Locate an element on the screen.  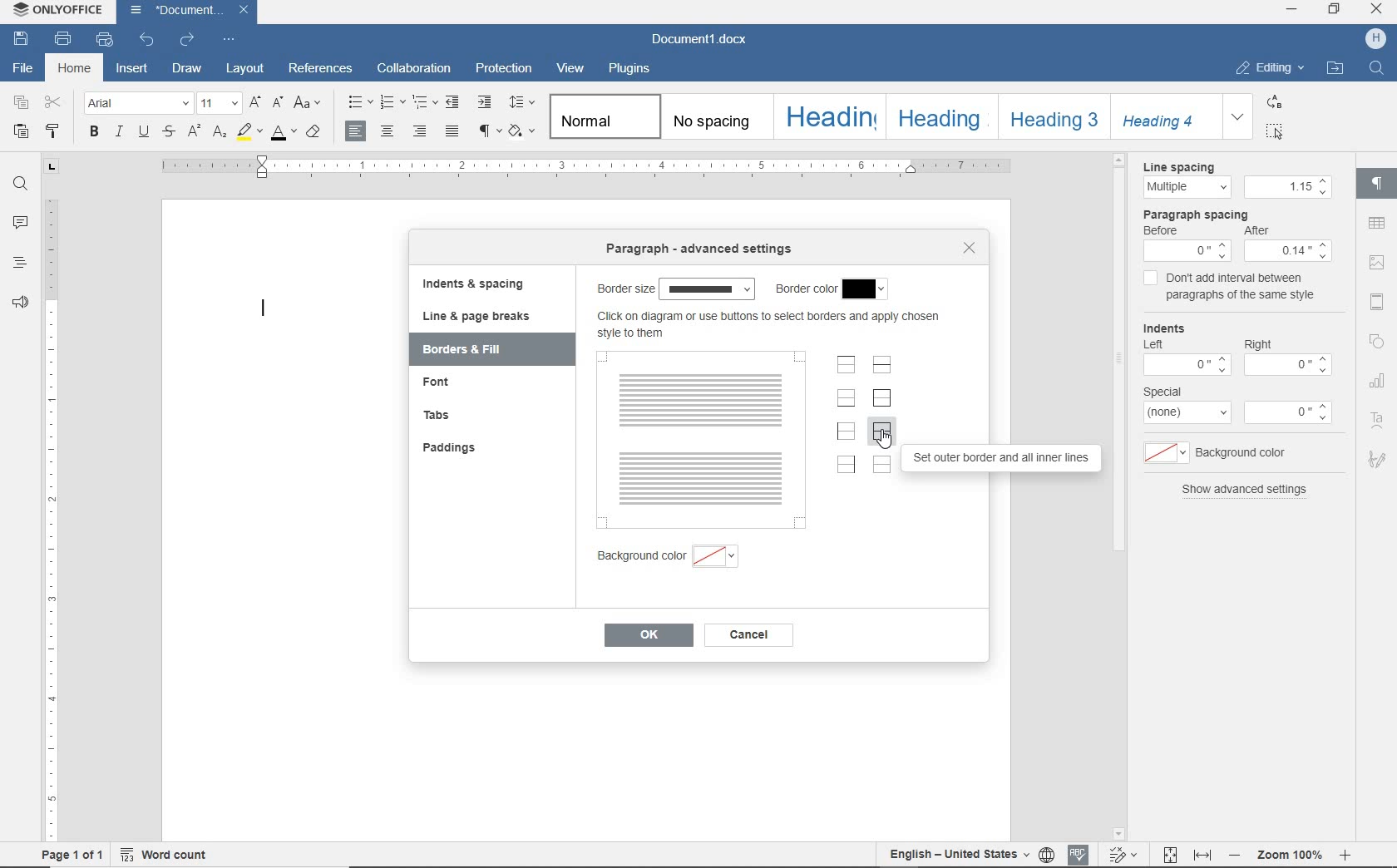
word count is located at coordinates (165, 856).